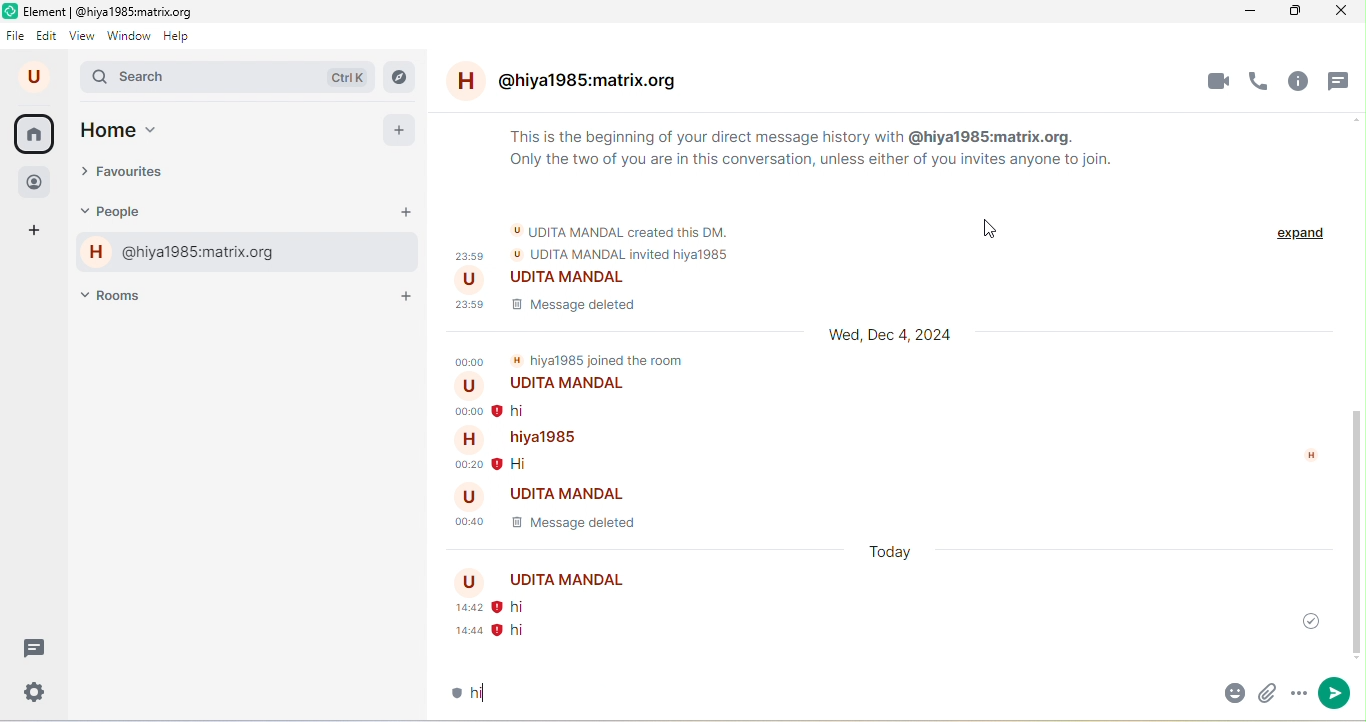  Describe the element at coordinates (38, 180) in the screenshot. I see `people` at that location.